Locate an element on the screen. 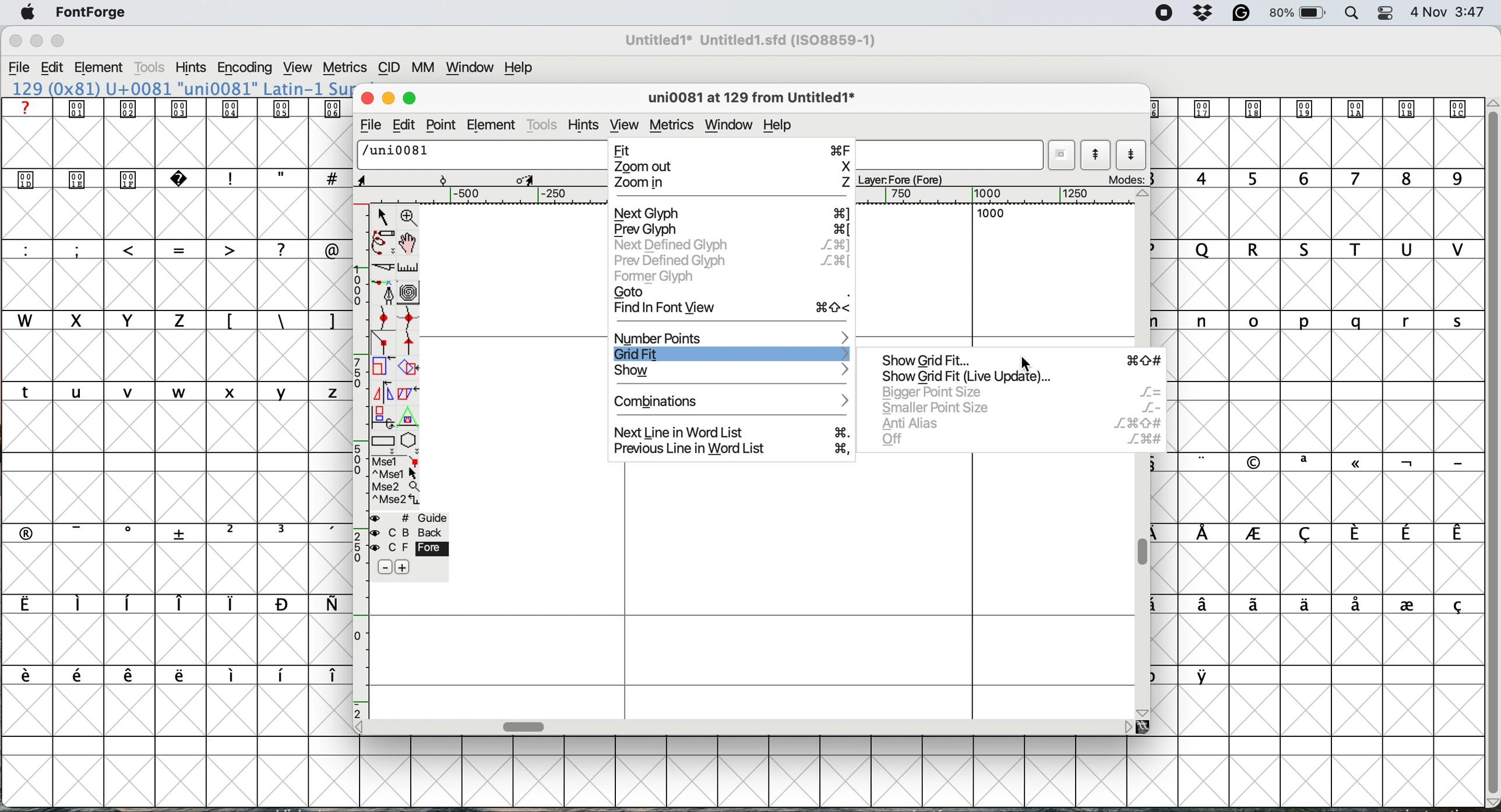  C B back is located at coordinates (413, 532).